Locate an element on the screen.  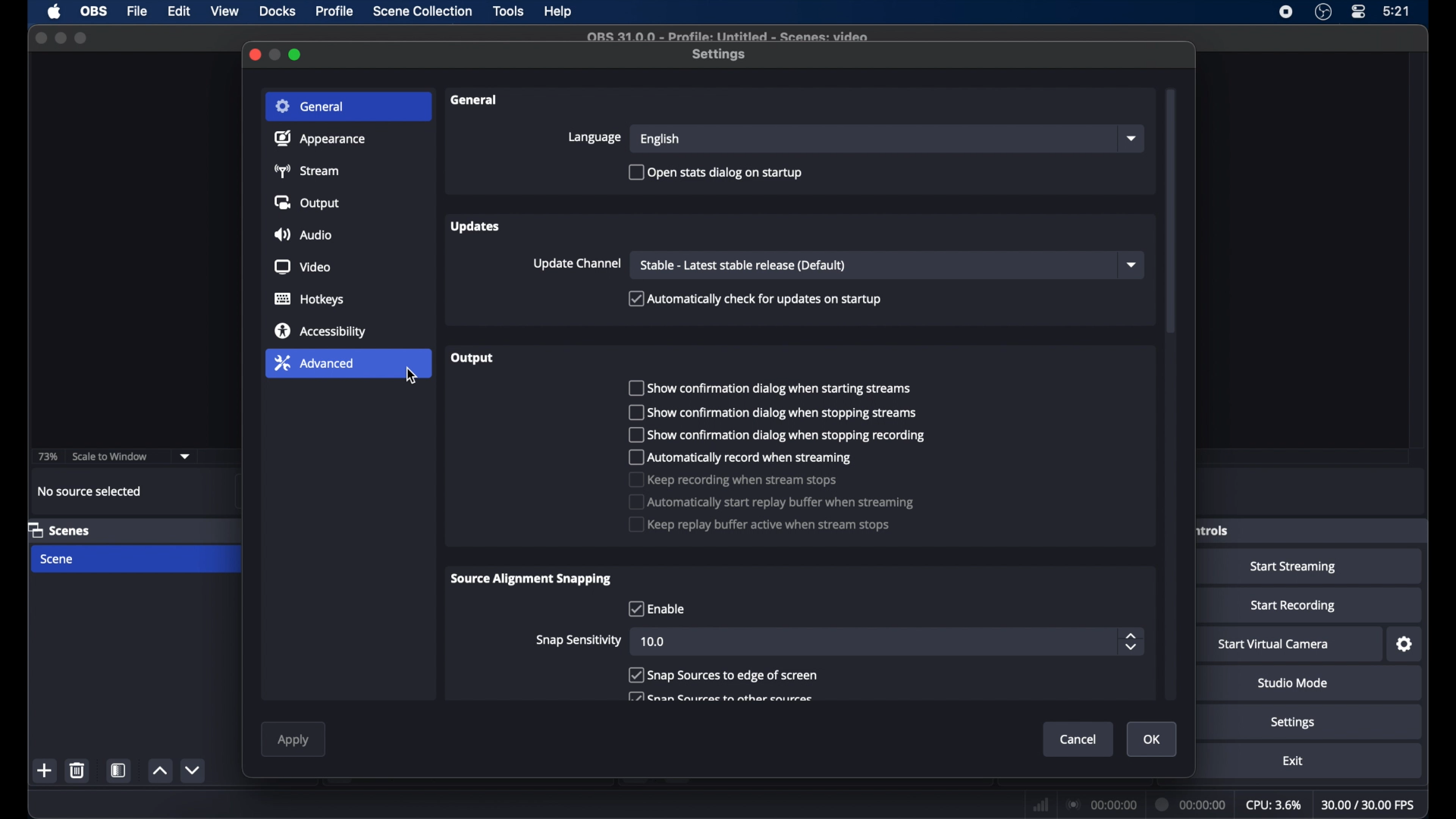
cancel is located at coordinates (1079, 740).